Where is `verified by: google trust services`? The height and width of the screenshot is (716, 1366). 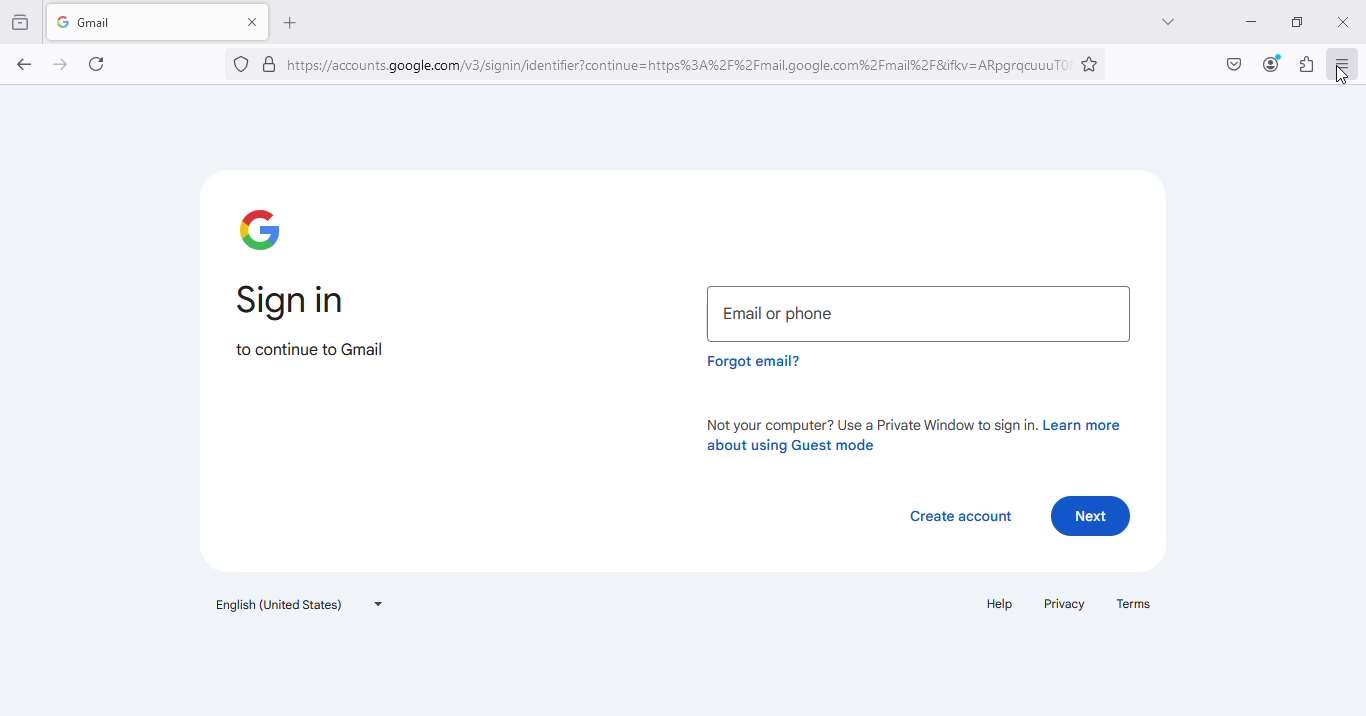 verified by: google trust services is located at coordinates (270, 65).